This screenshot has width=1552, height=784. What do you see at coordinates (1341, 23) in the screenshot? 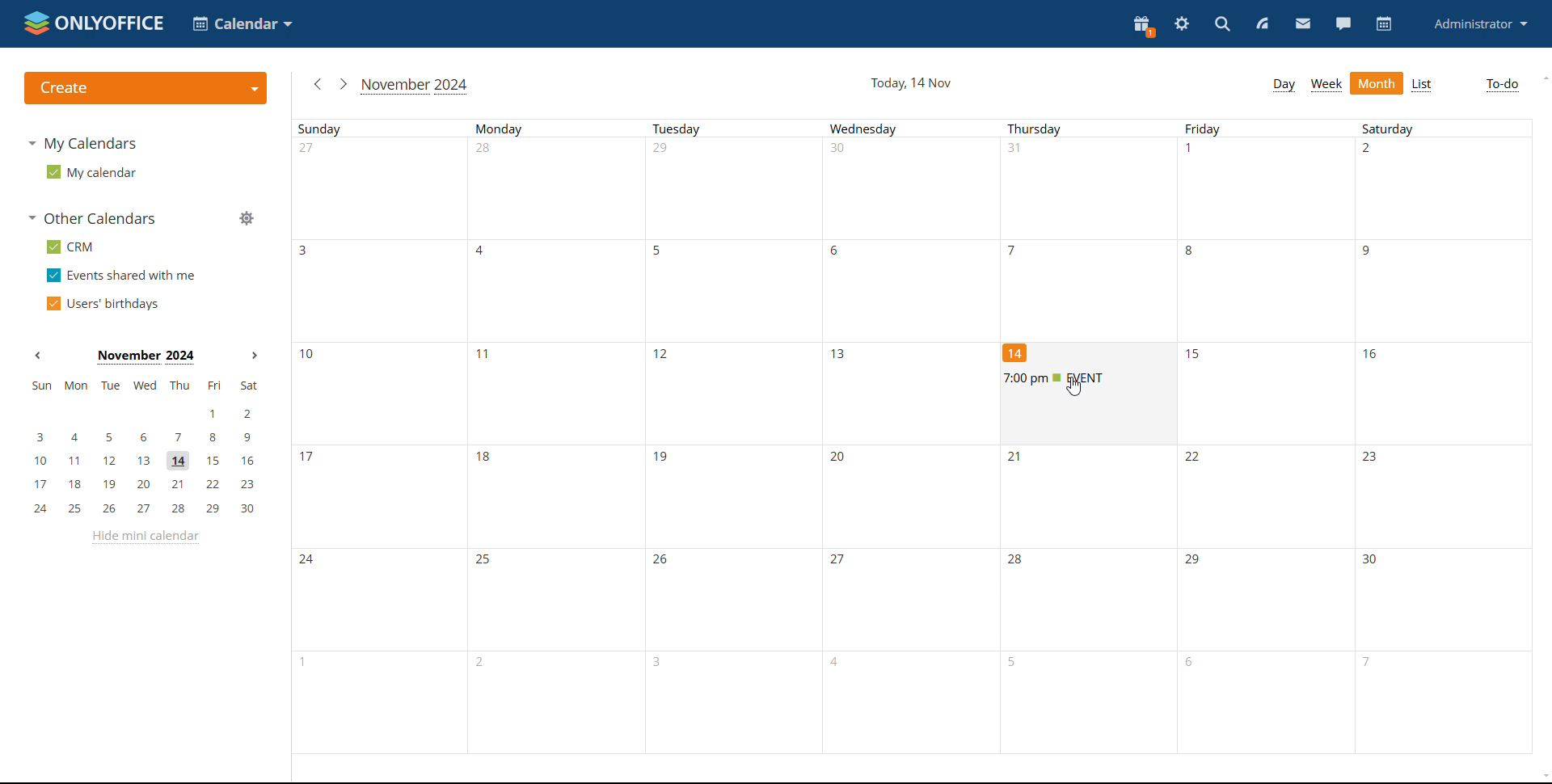
I see `chat` at bounding box center [1341, 23].